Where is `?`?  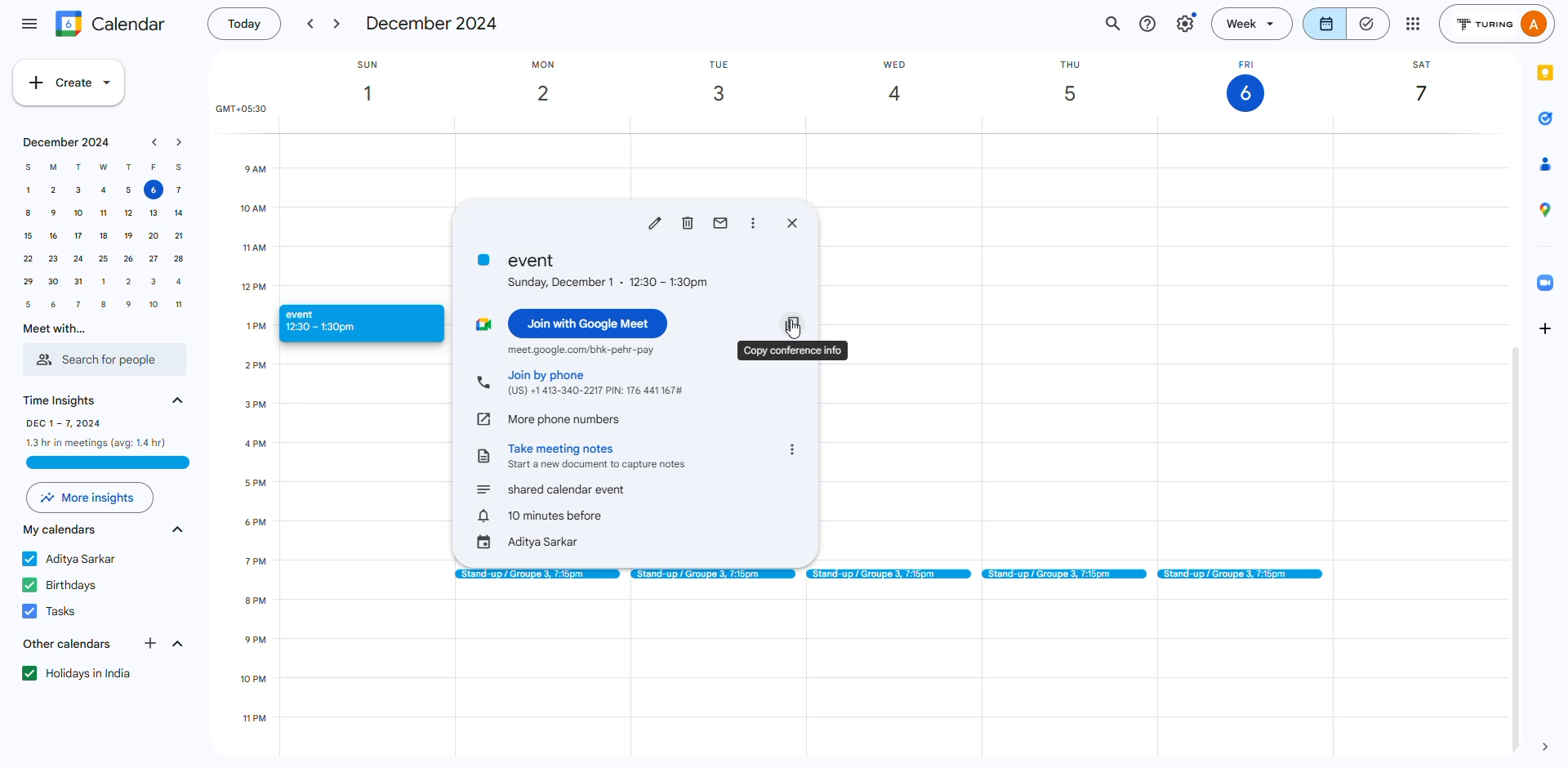
? is located at coordinates (1148, 25).